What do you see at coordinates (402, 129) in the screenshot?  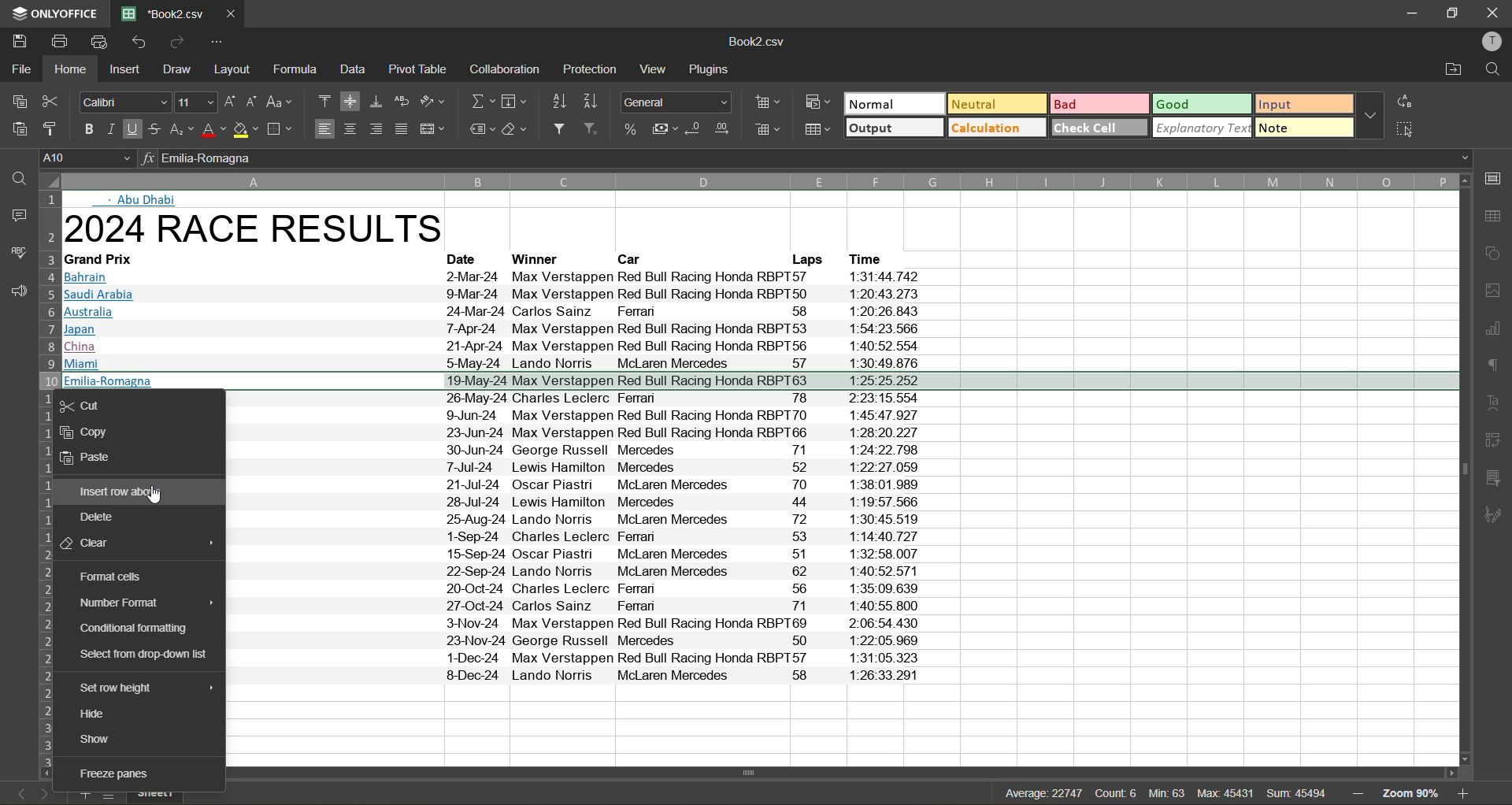 I see `justified` at bounding box center [402, 129].